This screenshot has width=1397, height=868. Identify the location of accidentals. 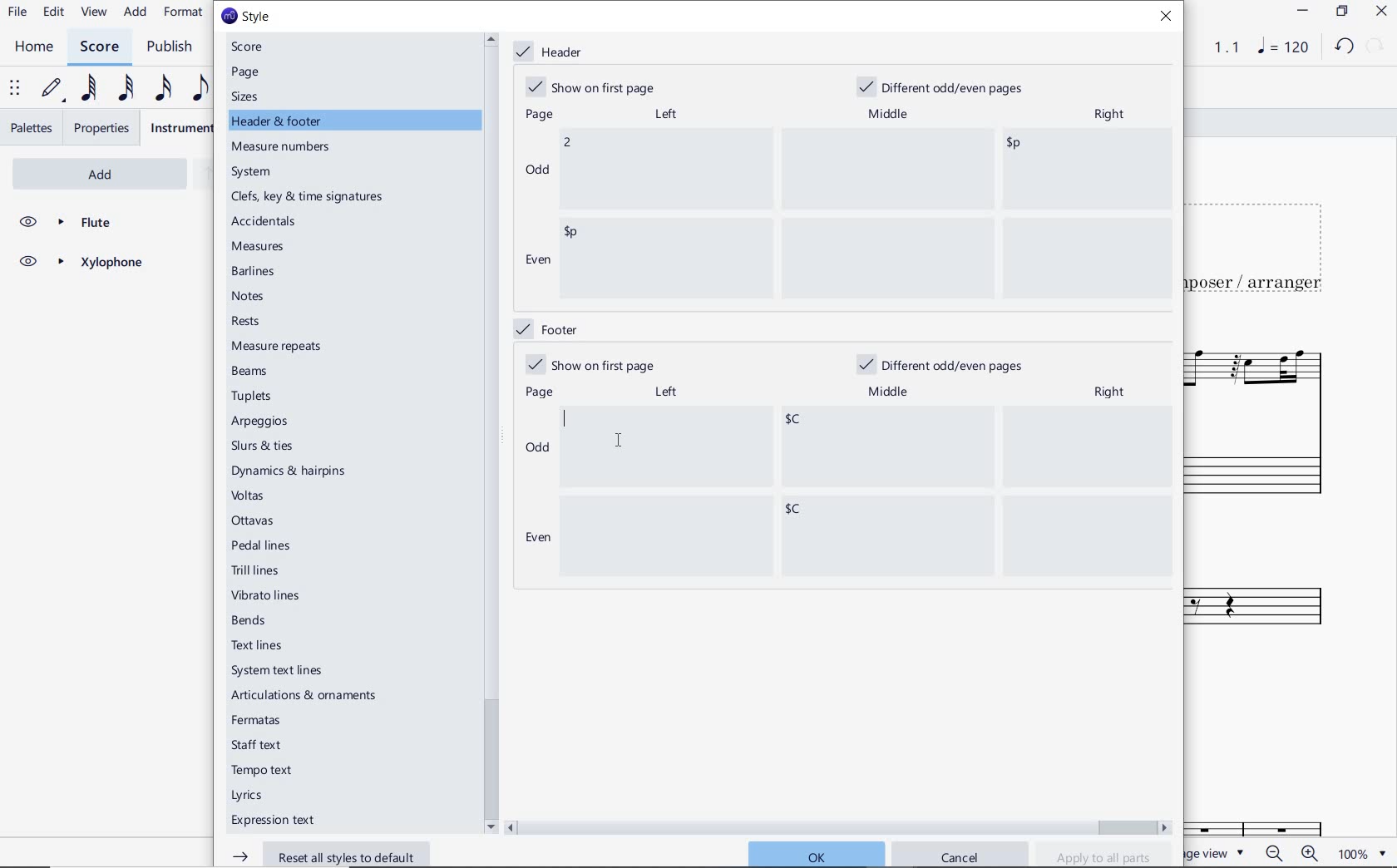
(266, 220).